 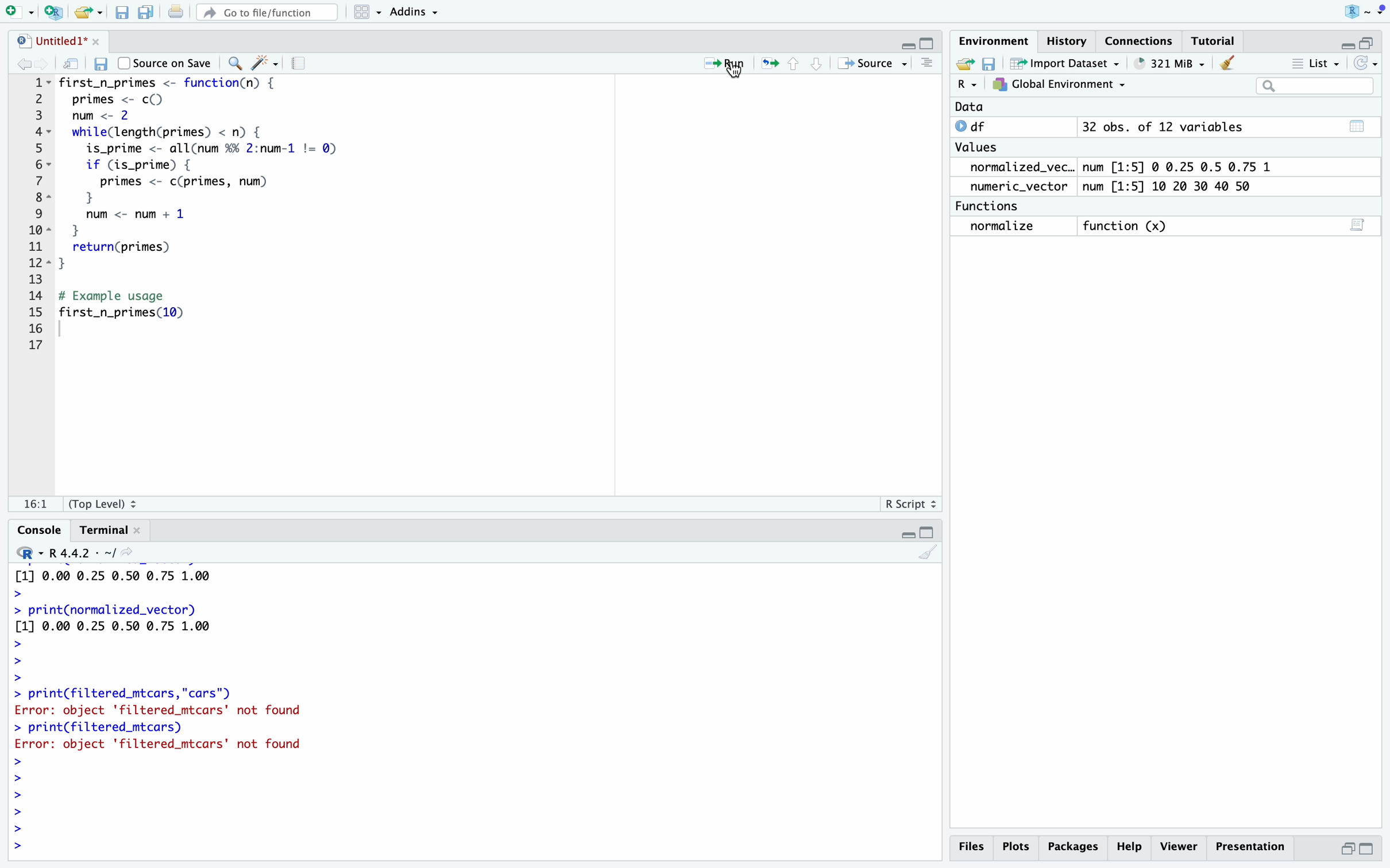 What do you see at coordinates (810, 63) in the screenshot?
I see `move up/down` at bounding box center [810, 63].